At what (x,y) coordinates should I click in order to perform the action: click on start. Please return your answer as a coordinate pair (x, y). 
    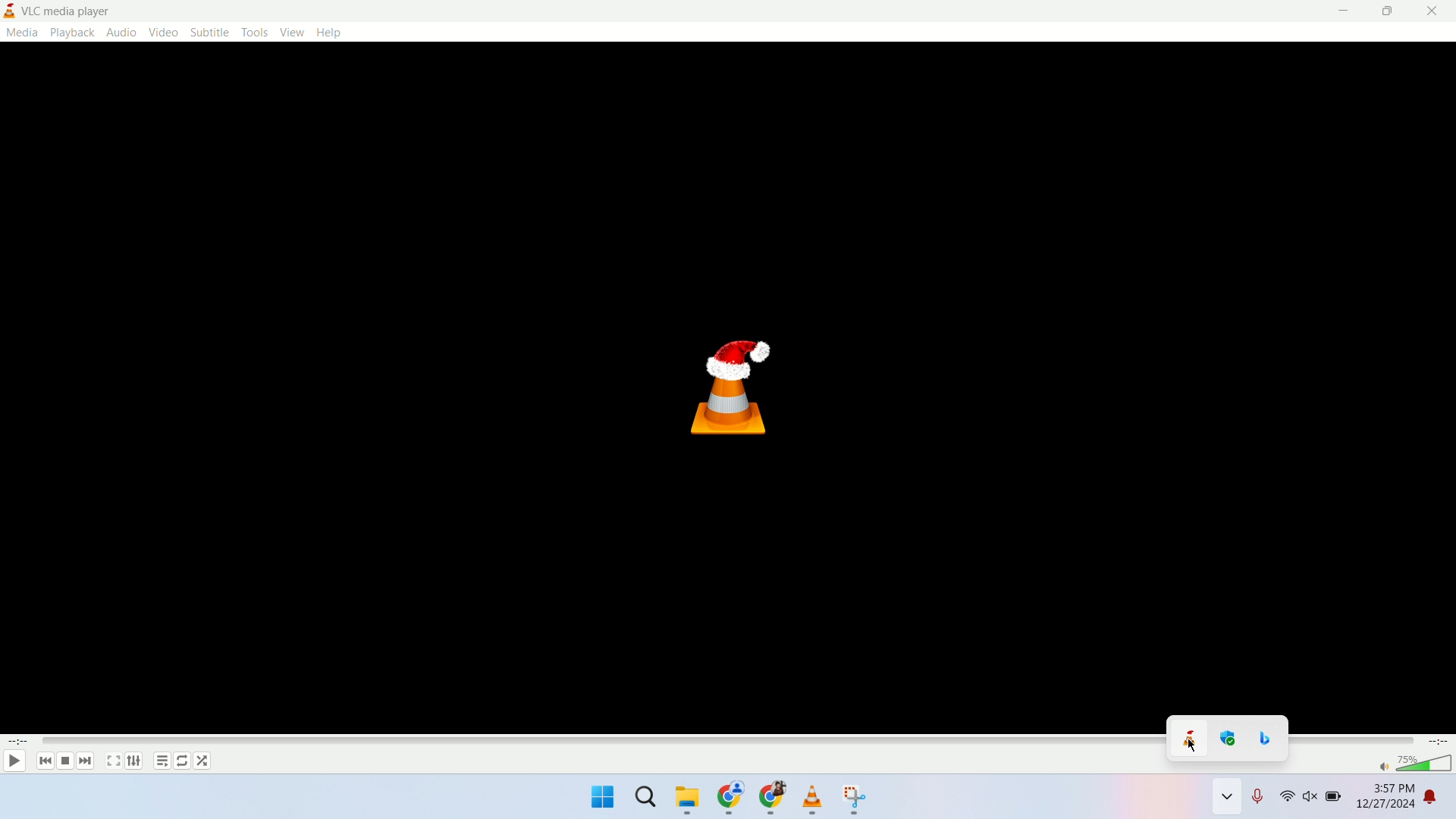
    Looking at the image, I should click on (601, 799).